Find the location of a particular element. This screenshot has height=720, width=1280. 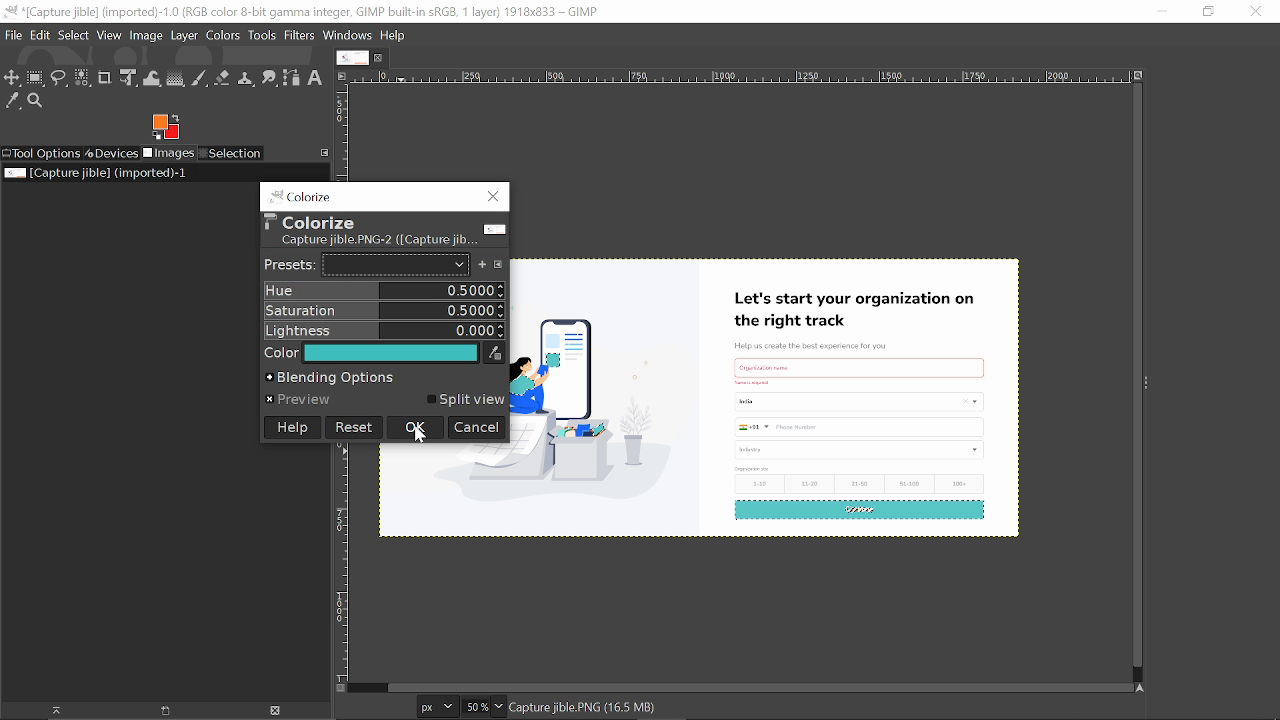

Rectangular select tool is located at coordinates (36, 80).